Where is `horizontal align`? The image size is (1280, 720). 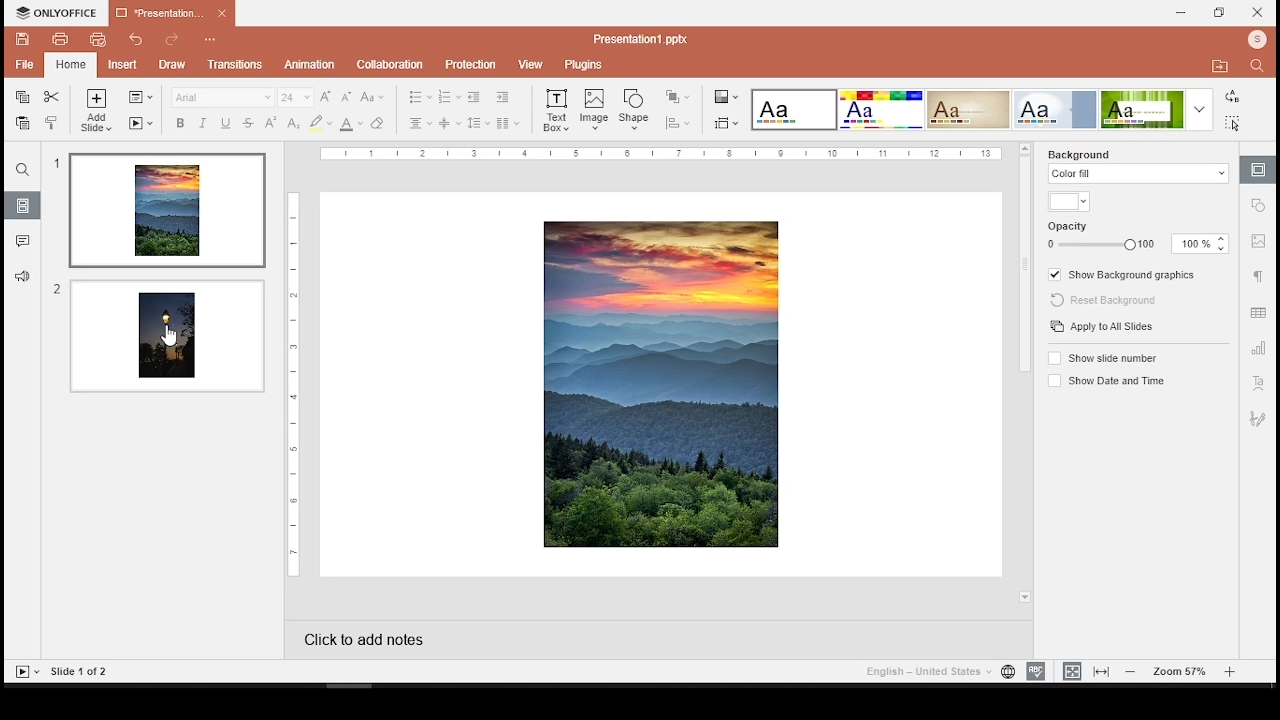 horizontal align is located at coordinates (421, 123).